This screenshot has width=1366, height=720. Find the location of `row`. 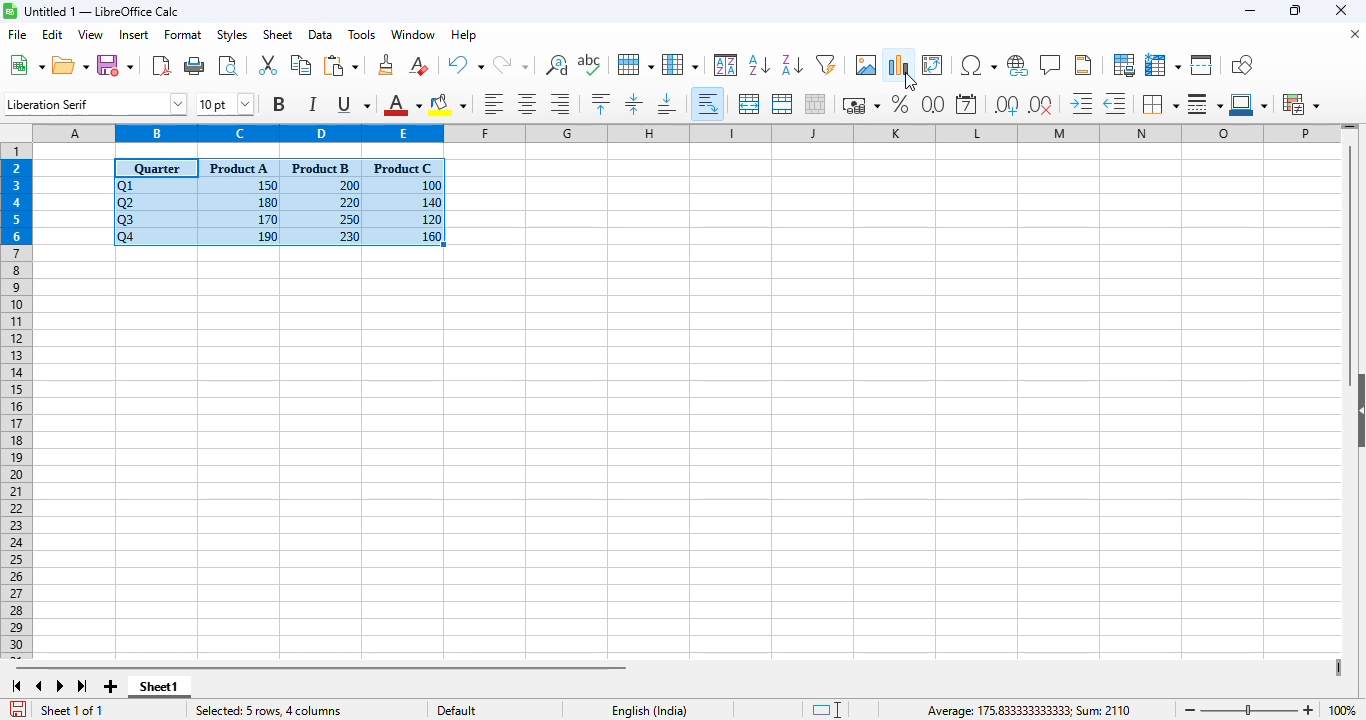

row is located at coordinates (636, 65).